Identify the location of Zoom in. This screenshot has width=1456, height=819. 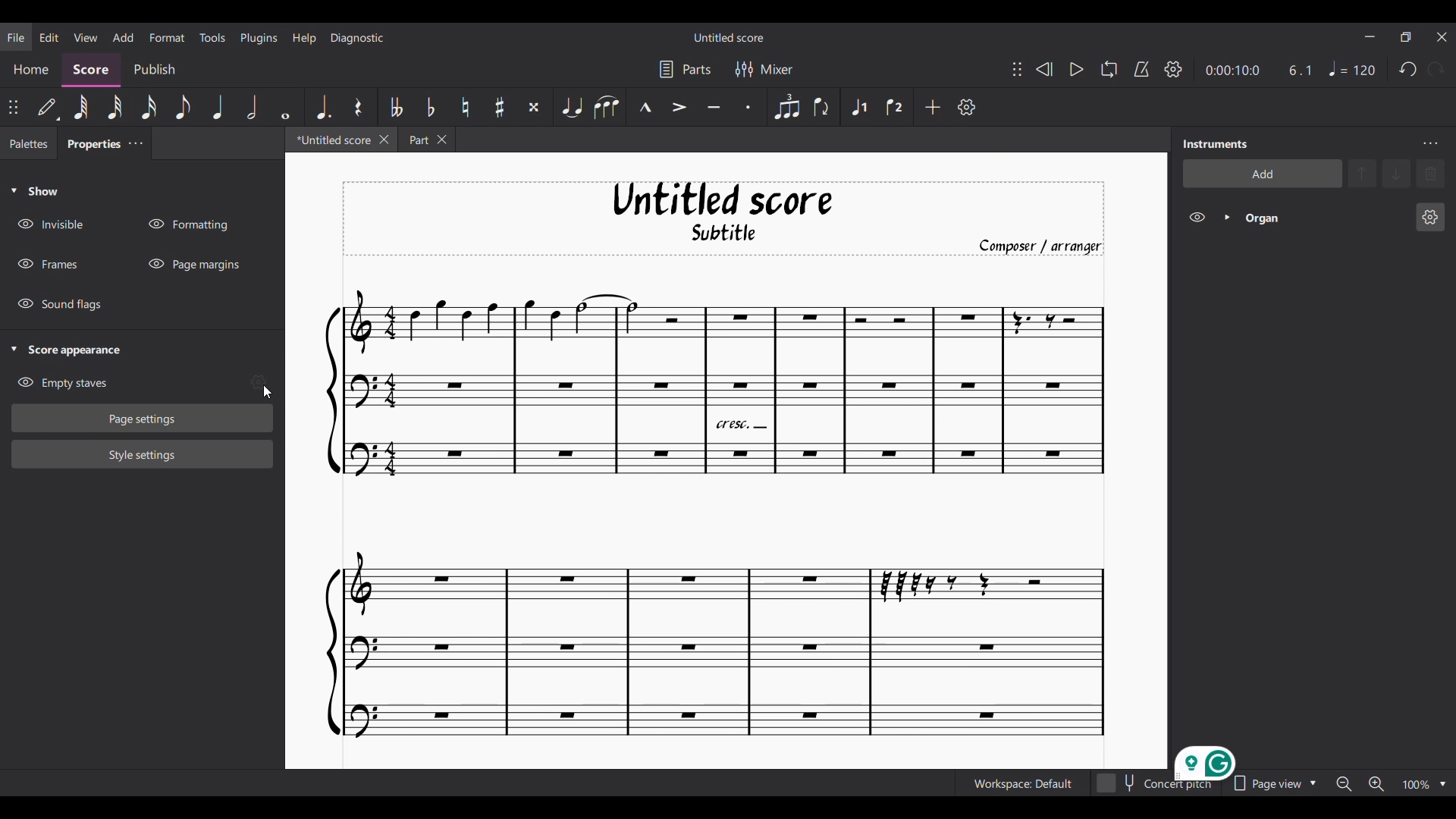
(1376, 784).